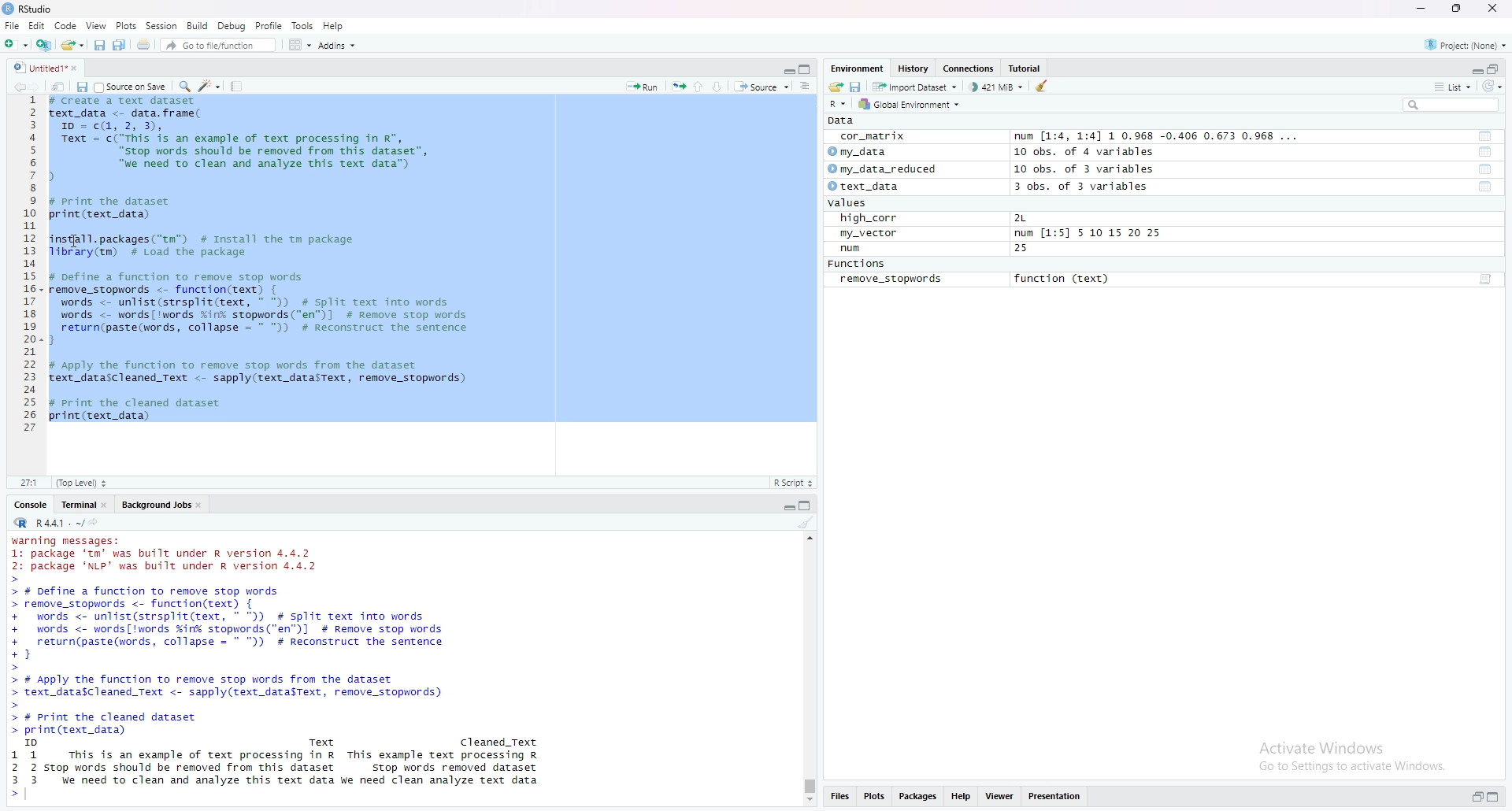 The height and width of the screenshot is (811, 1512). Describe the element at coordinates (806, 87) in the screenshot. I see `show document online` at that location.